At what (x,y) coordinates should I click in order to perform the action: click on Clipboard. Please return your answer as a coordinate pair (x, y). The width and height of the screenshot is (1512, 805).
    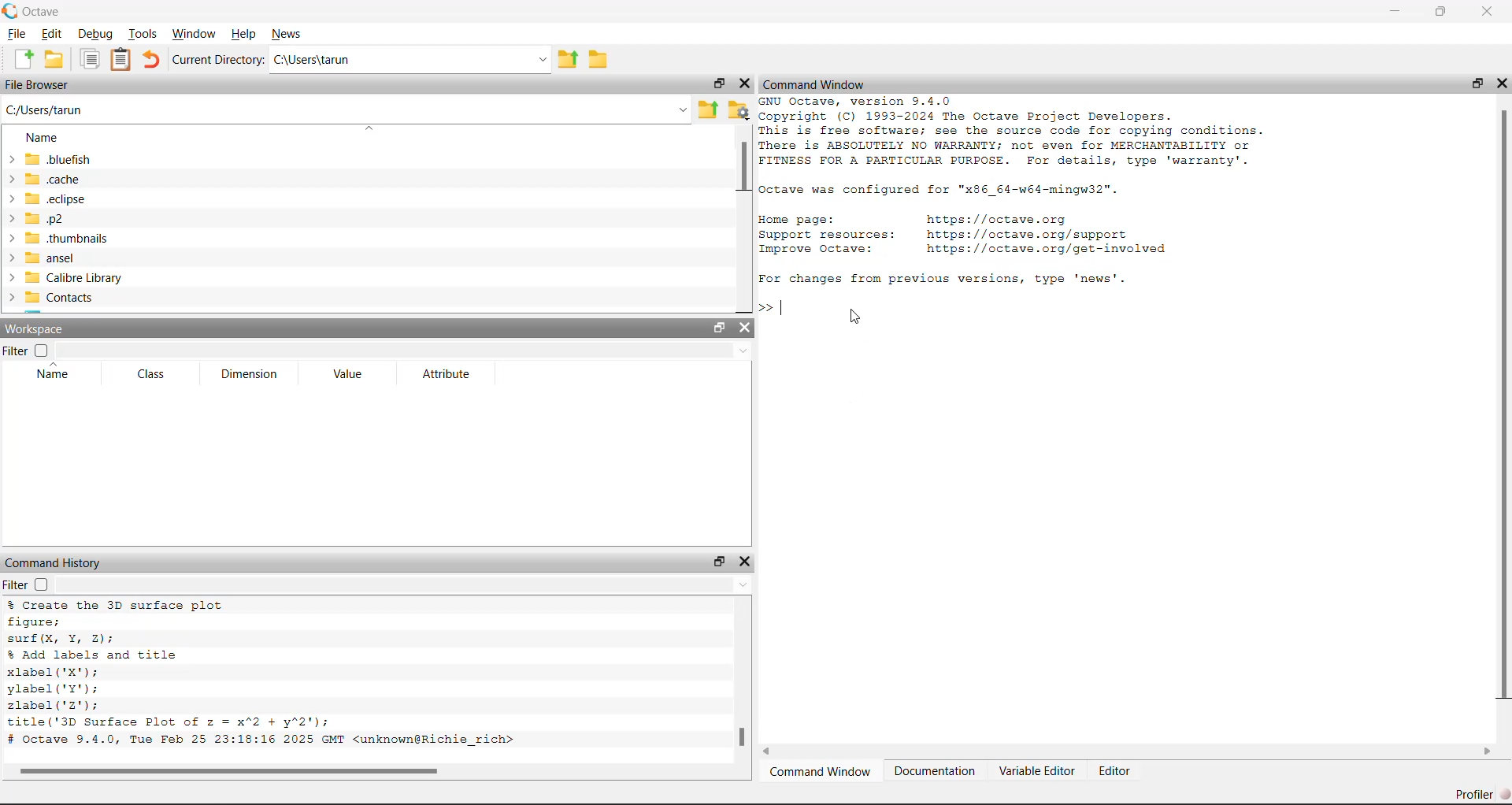
    Looking at the image, I should click on (120, 58).